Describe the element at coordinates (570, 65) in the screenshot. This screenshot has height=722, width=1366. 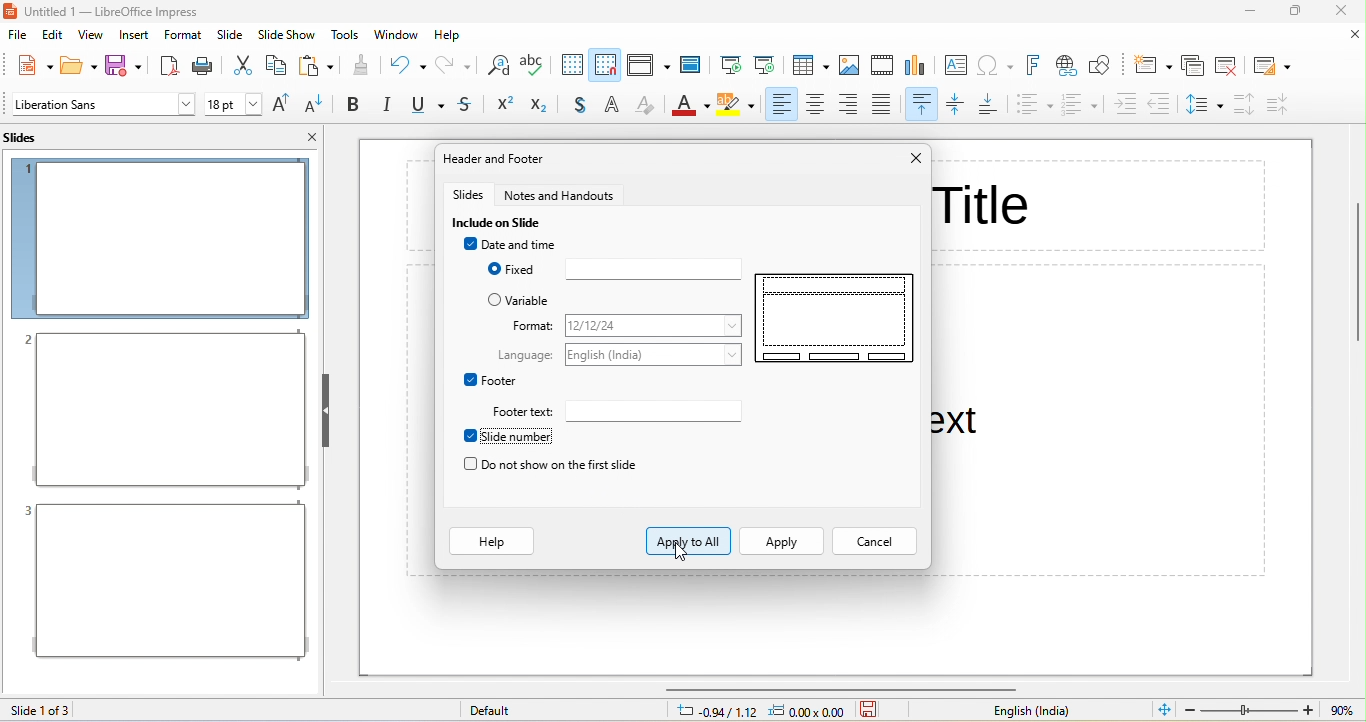
I see `display grid` at that location.